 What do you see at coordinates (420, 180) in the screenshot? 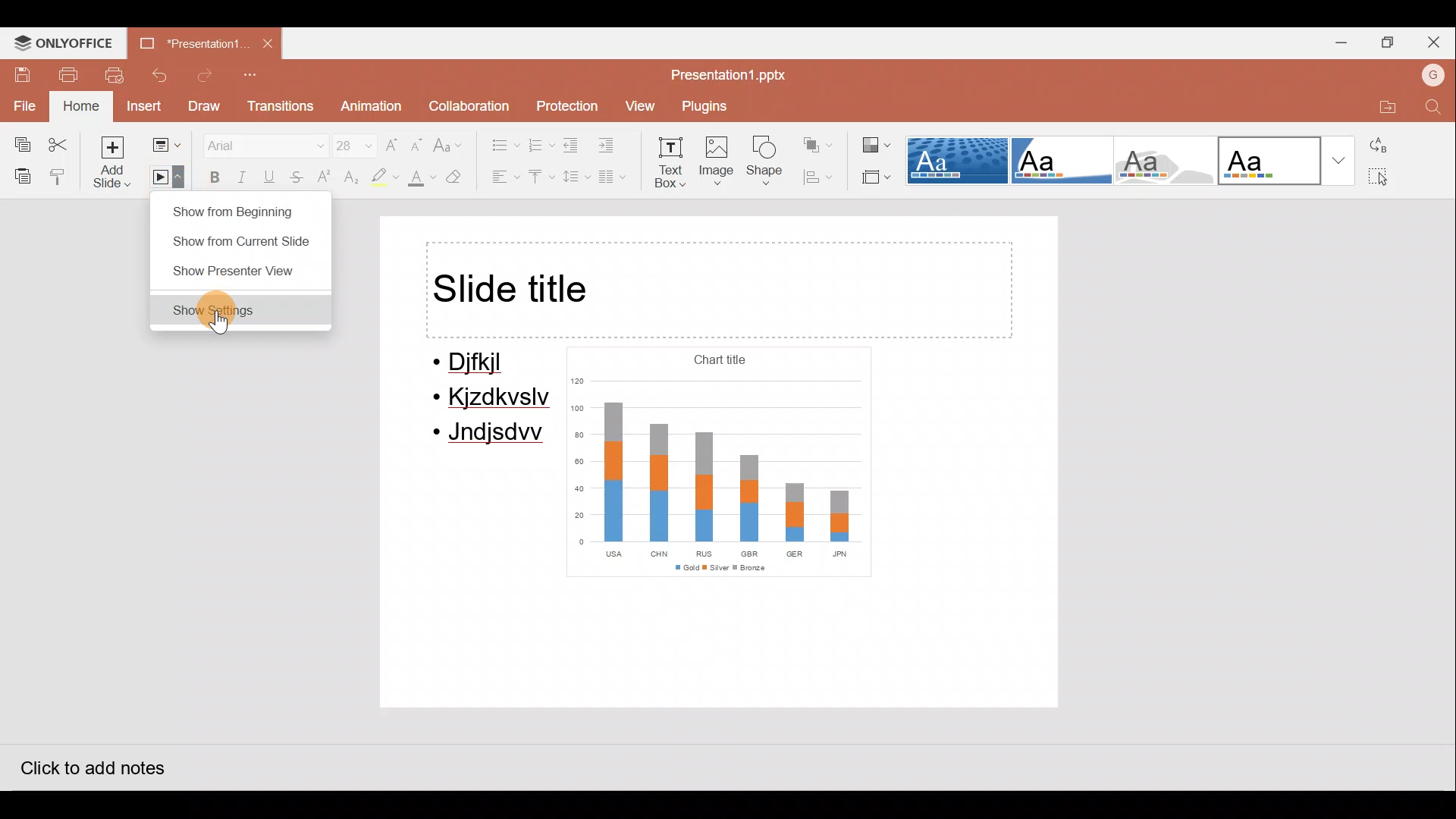
I see `Fill colour` at bounding box center [420, 180].